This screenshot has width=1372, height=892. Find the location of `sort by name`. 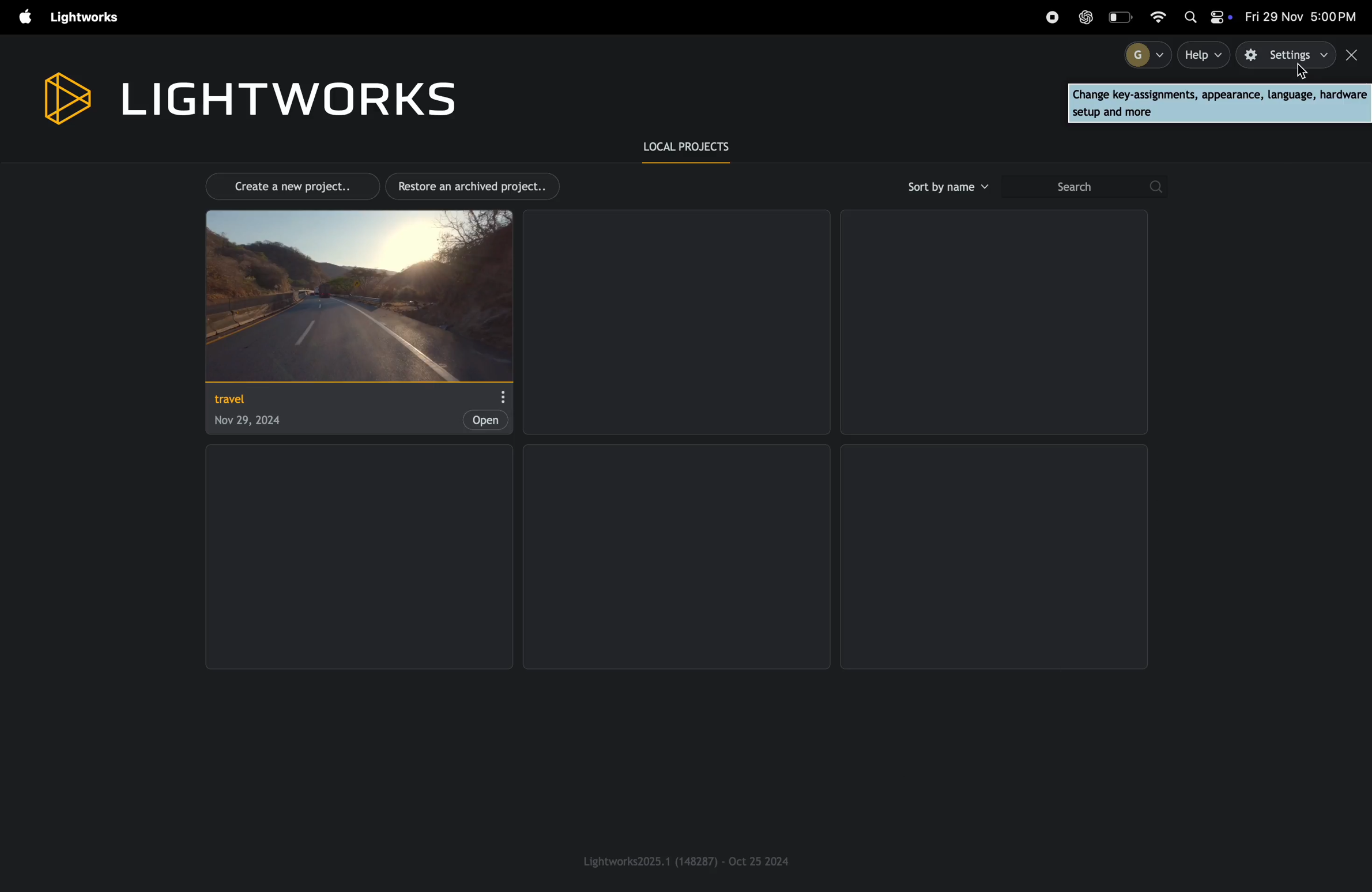

sort by name is located at coordinates (946, 187).